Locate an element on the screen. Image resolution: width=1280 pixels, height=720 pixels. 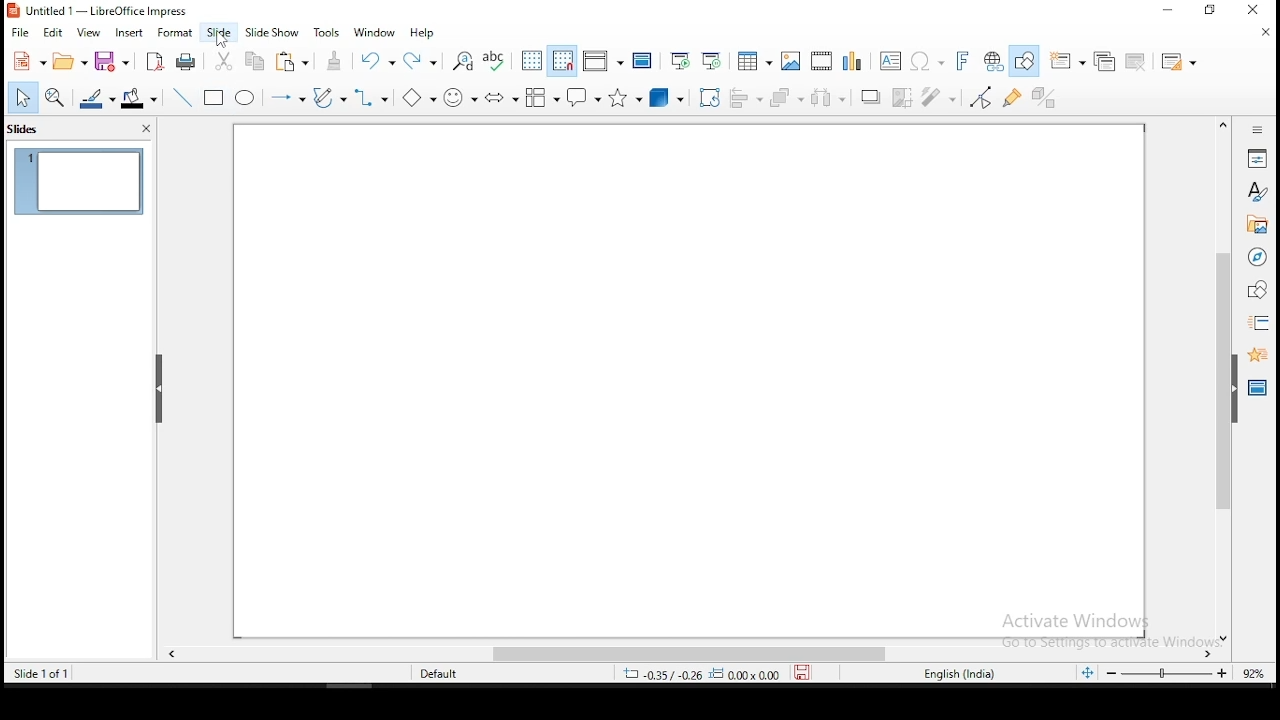
arrange is located at coordinates (787, 99).